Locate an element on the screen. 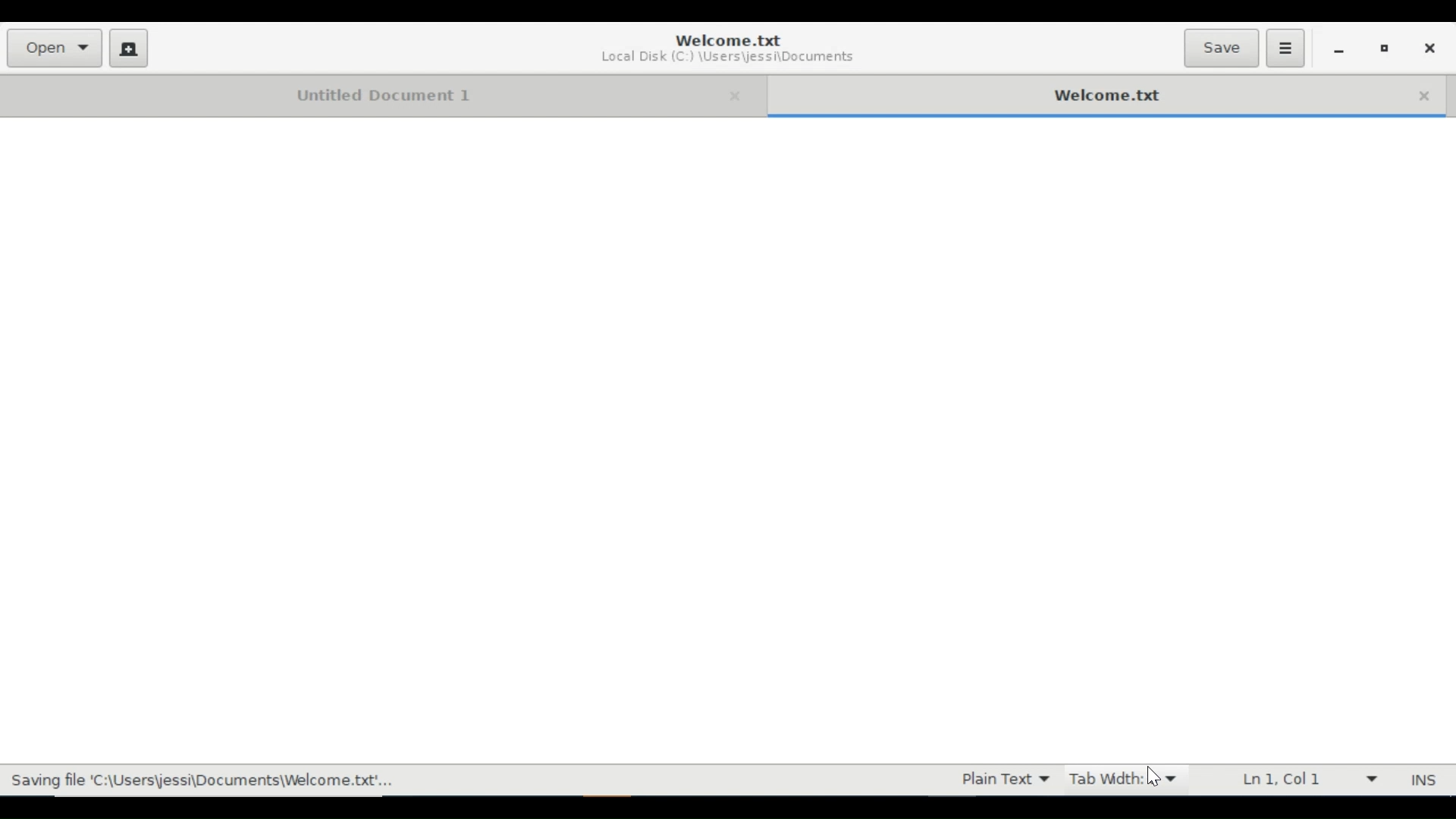  Tab Width 13 is located at coordinates (1126, 779).